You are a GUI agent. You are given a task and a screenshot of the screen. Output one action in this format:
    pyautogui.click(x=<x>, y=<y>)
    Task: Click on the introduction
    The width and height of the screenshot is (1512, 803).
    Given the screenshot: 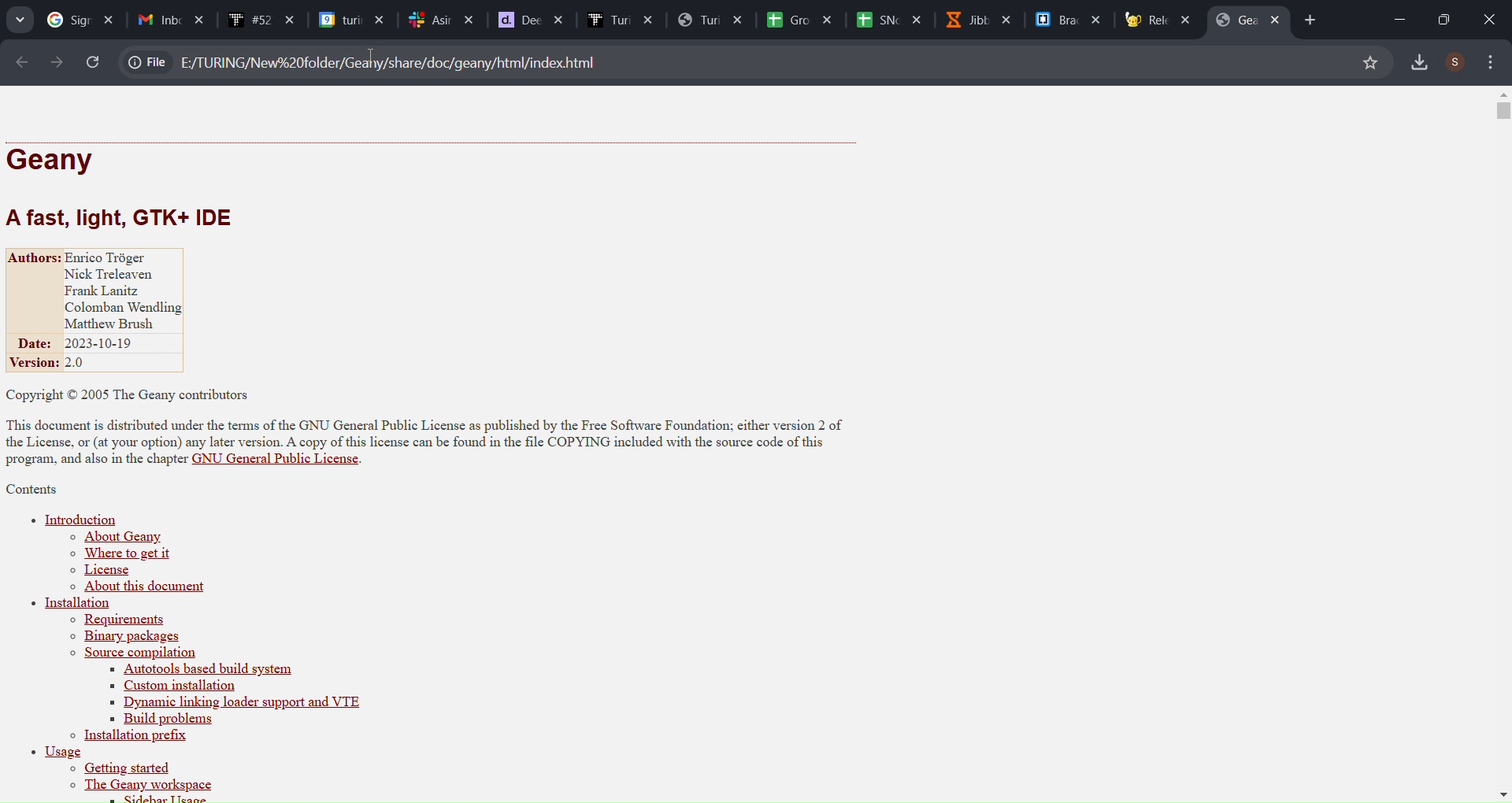 What is the action you would take?
    pyautogui.click(x=76, y=517)
    